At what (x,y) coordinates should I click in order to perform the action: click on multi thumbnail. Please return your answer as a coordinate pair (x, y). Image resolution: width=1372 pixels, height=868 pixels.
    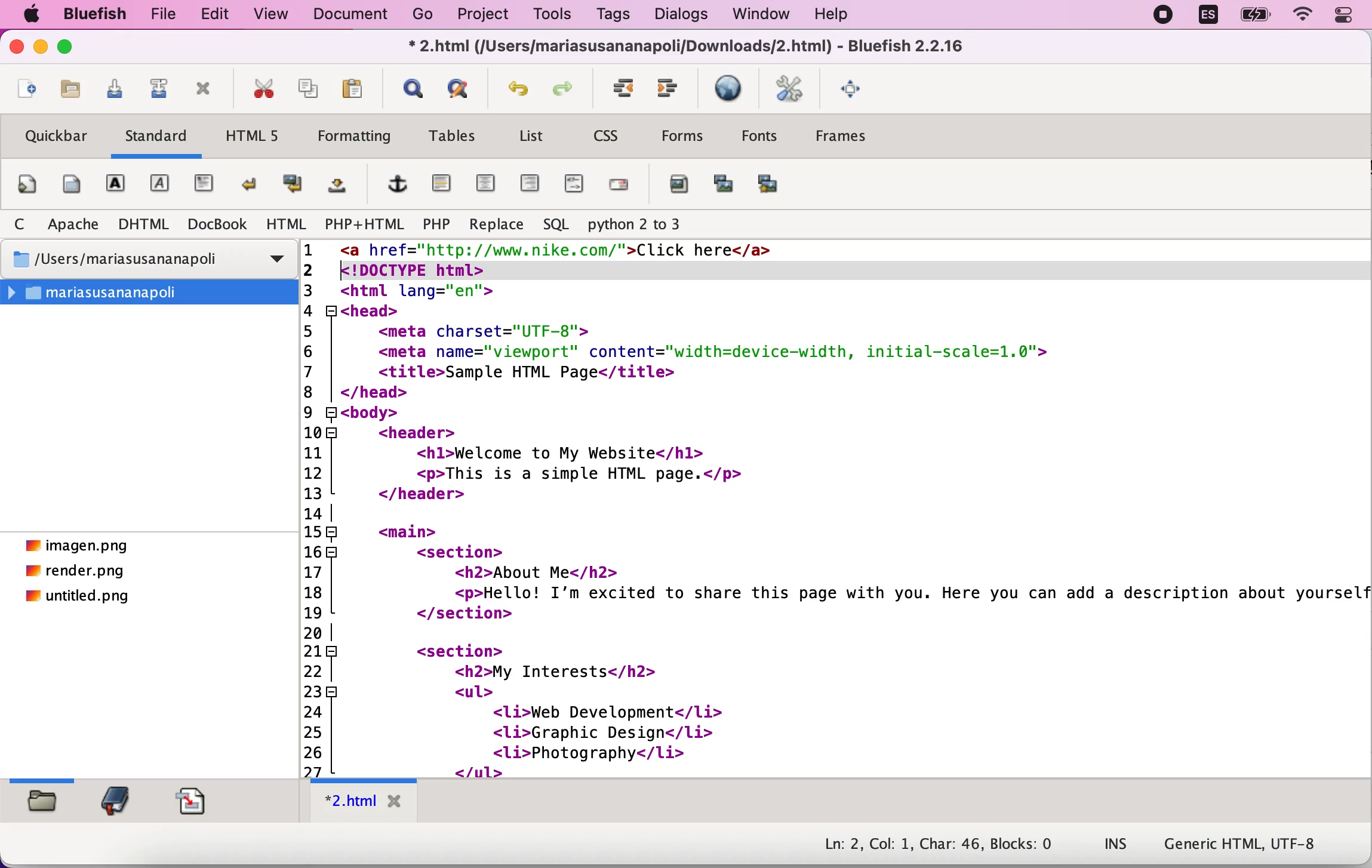
    Looking at the image, I should click on (776, 187).